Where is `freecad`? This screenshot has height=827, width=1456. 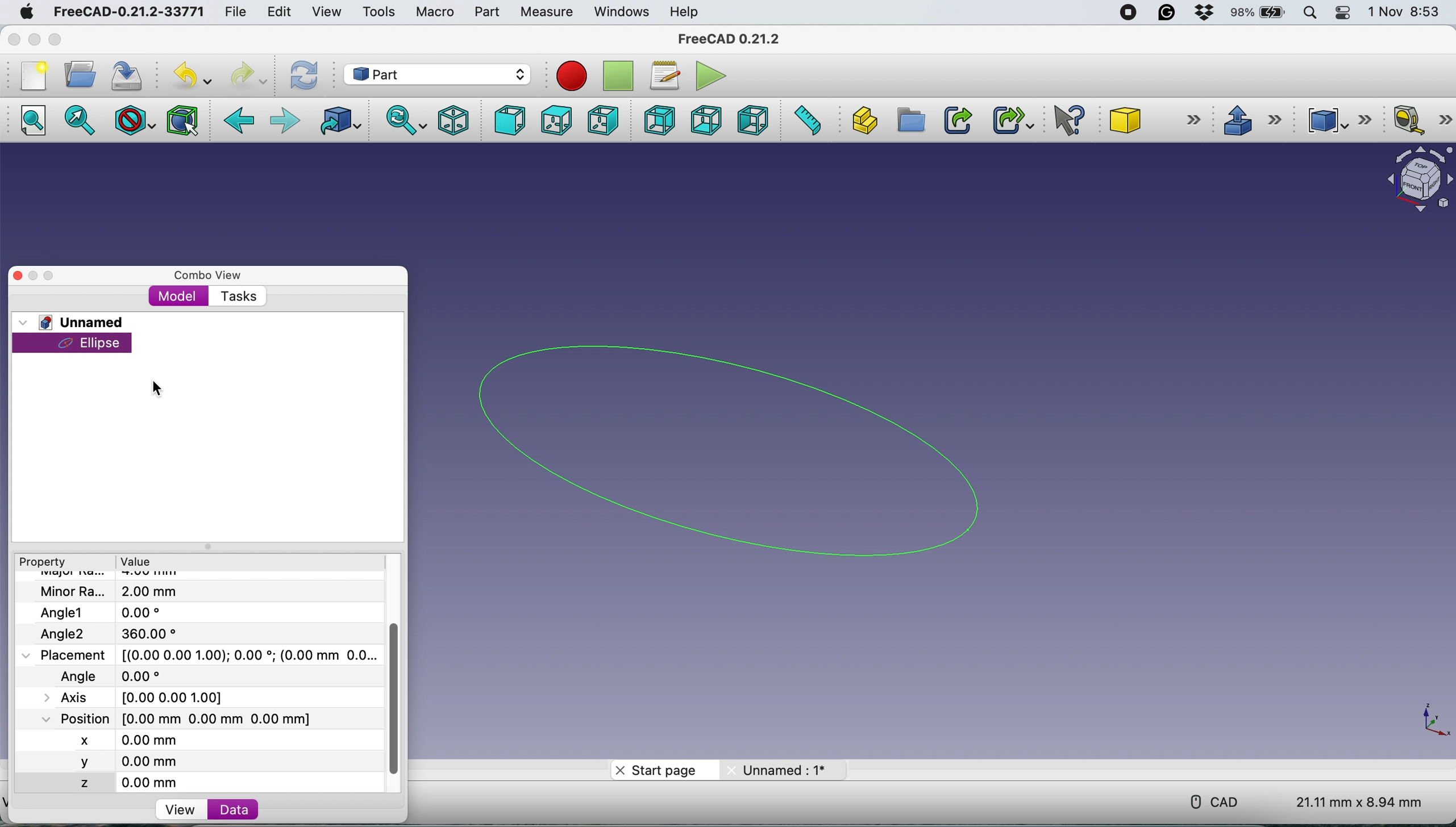
freecad is located at coordinates (727, 40).